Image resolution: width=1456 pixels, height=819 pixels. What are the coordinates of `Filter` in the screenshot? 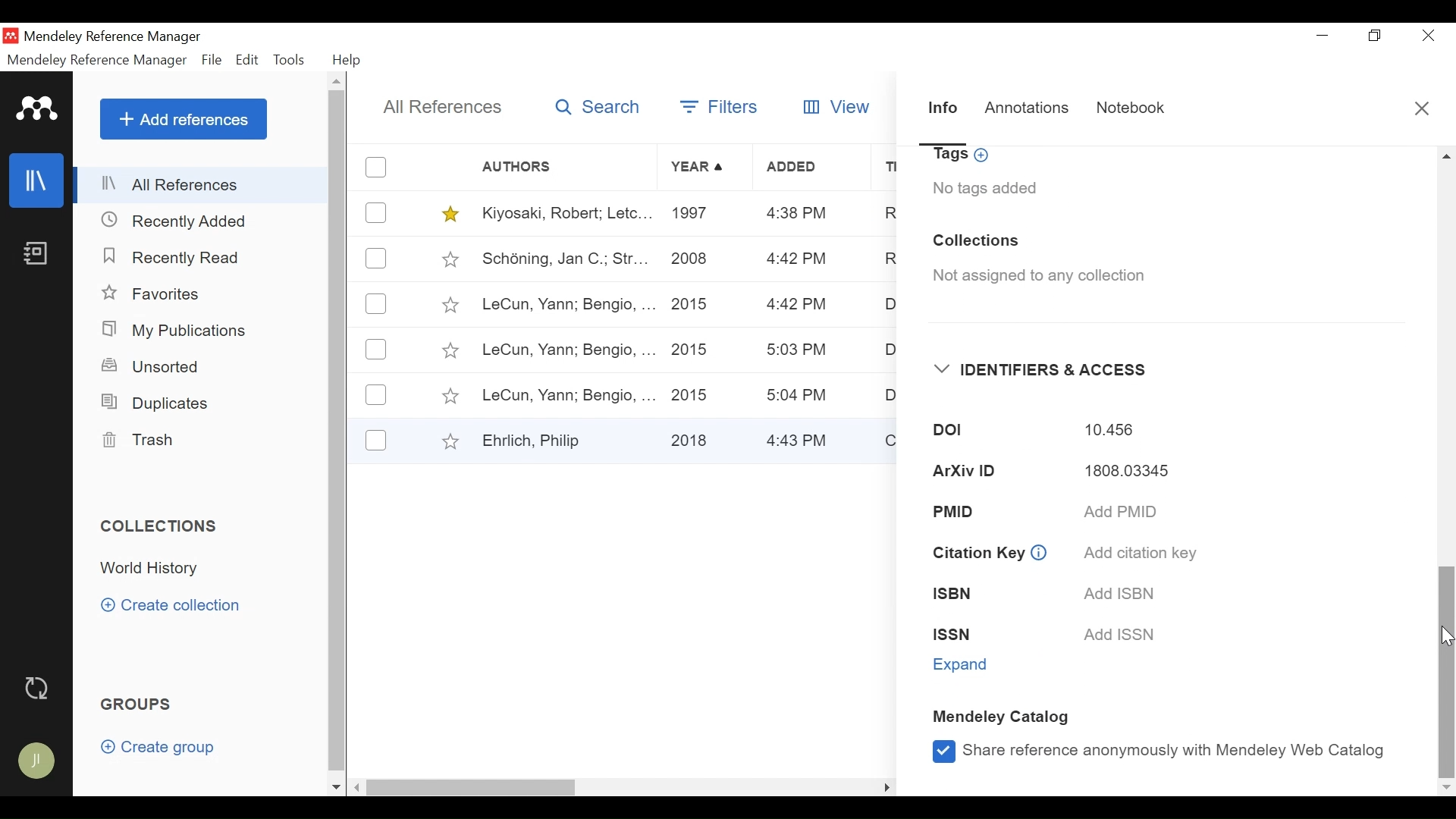 It's located at (722, 109).